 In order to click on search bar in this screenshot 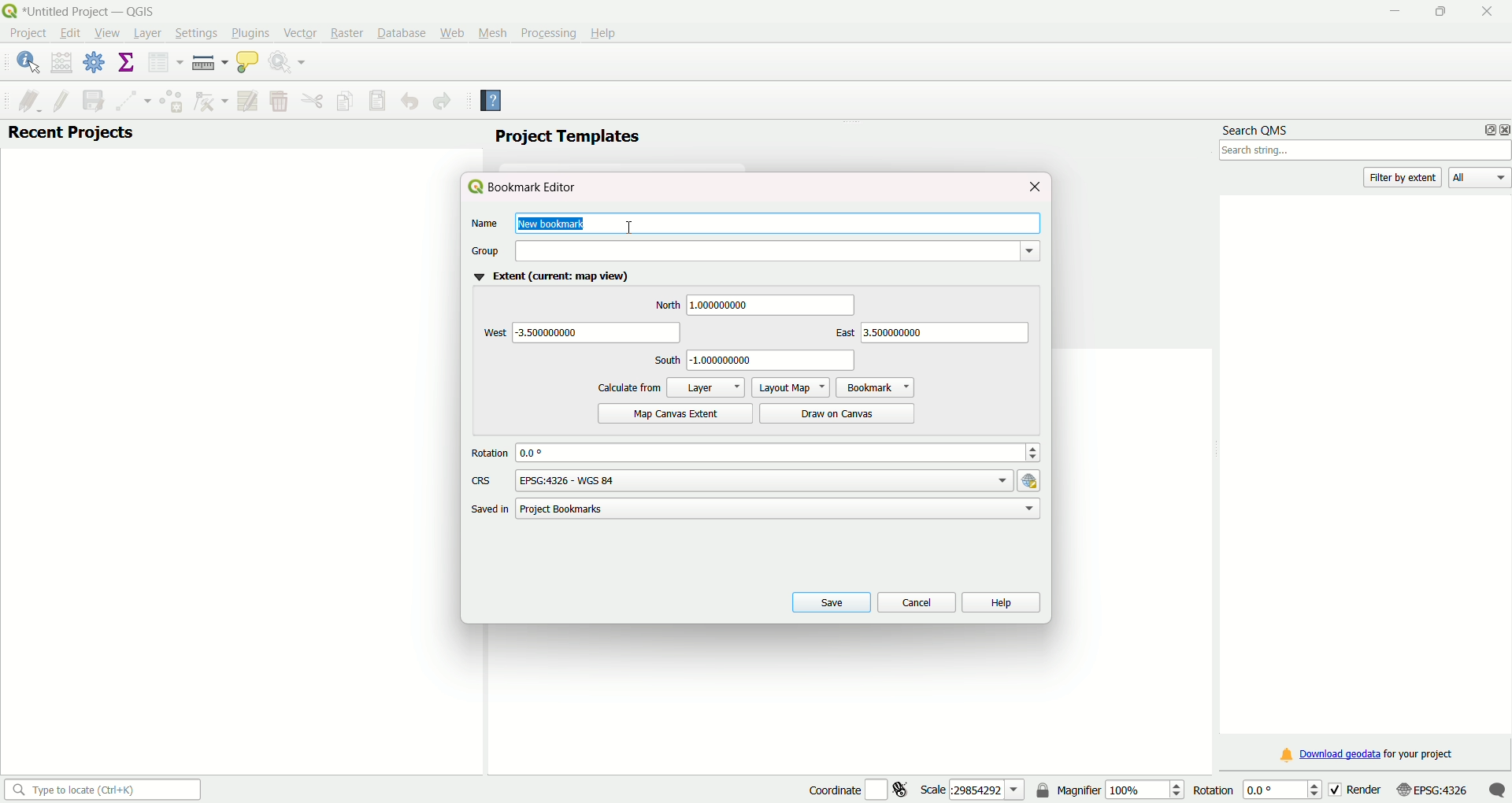, I will do `click(1366, 152)`.